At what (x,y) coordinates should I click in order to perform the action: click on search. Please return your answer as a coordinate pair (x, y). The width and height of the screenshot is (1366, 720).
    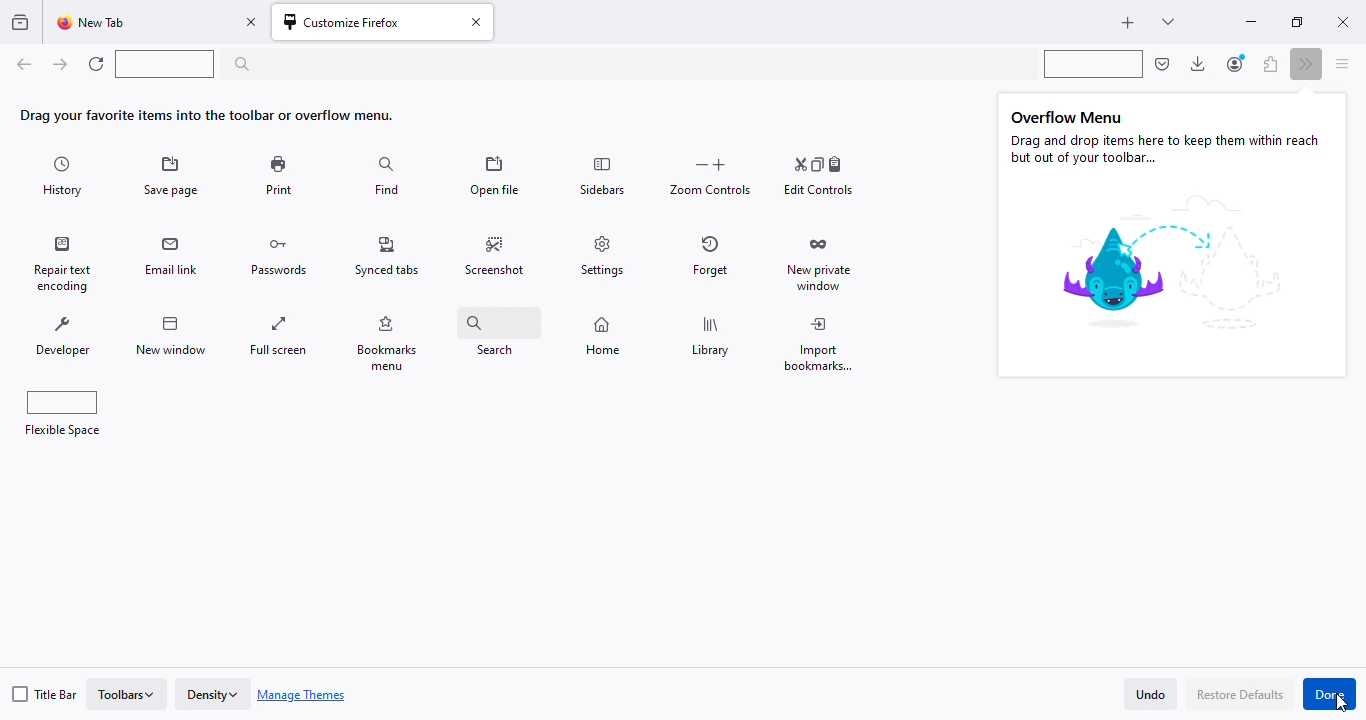
    Looking at the image, I should click on (630, 63).